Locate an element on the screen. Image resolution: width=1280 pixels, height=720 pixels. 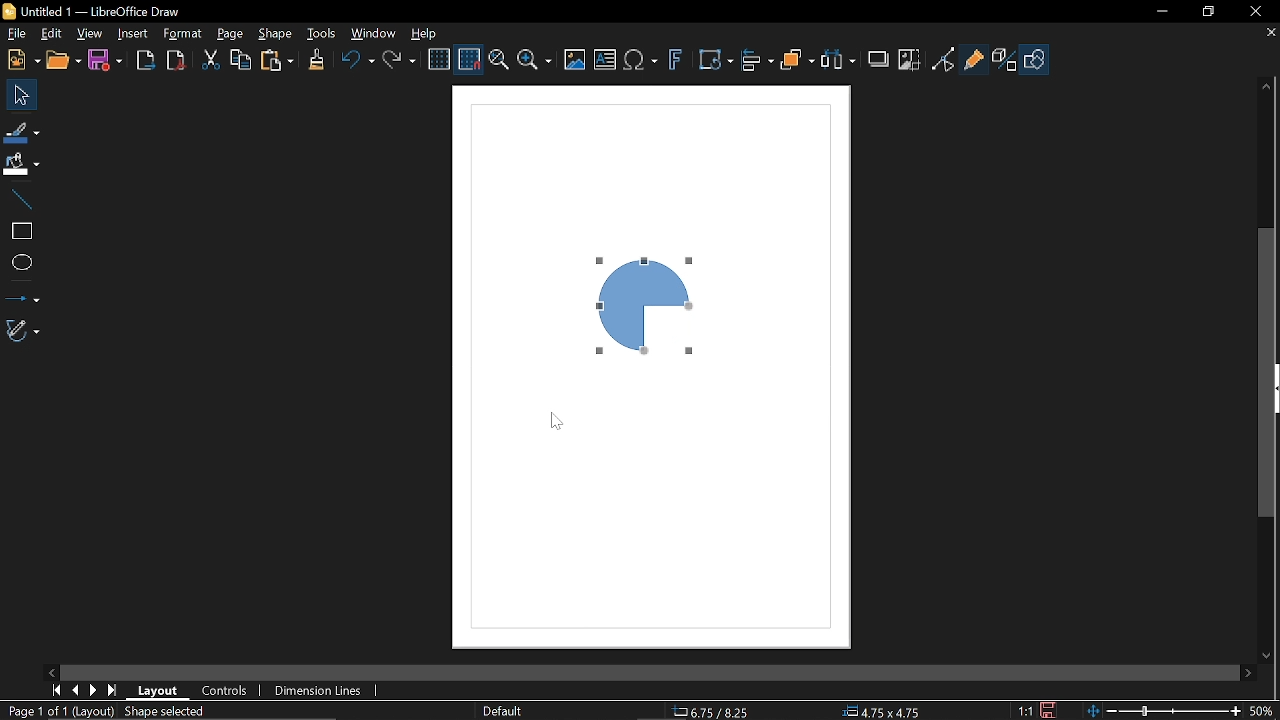
4.75x4.75(Object Size) is located at coordinates (885, 710).